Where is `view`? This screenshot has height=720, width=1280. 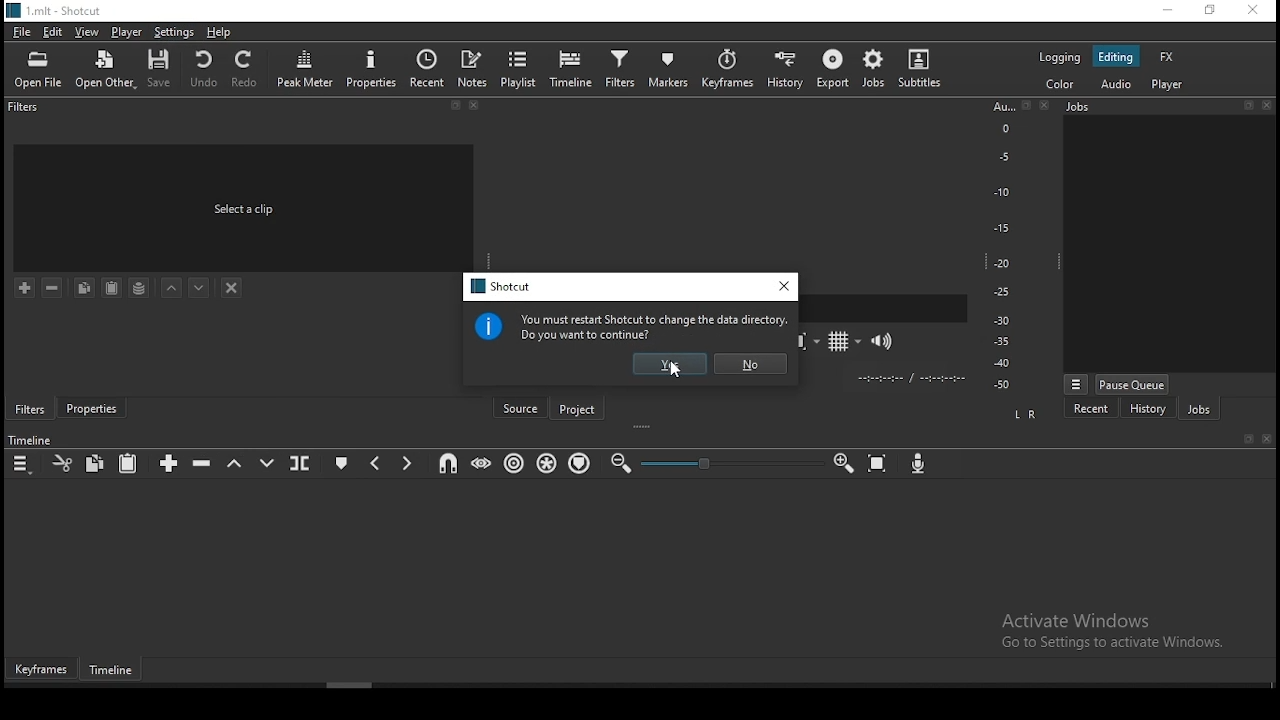
view is located at coordinates (89, 33).